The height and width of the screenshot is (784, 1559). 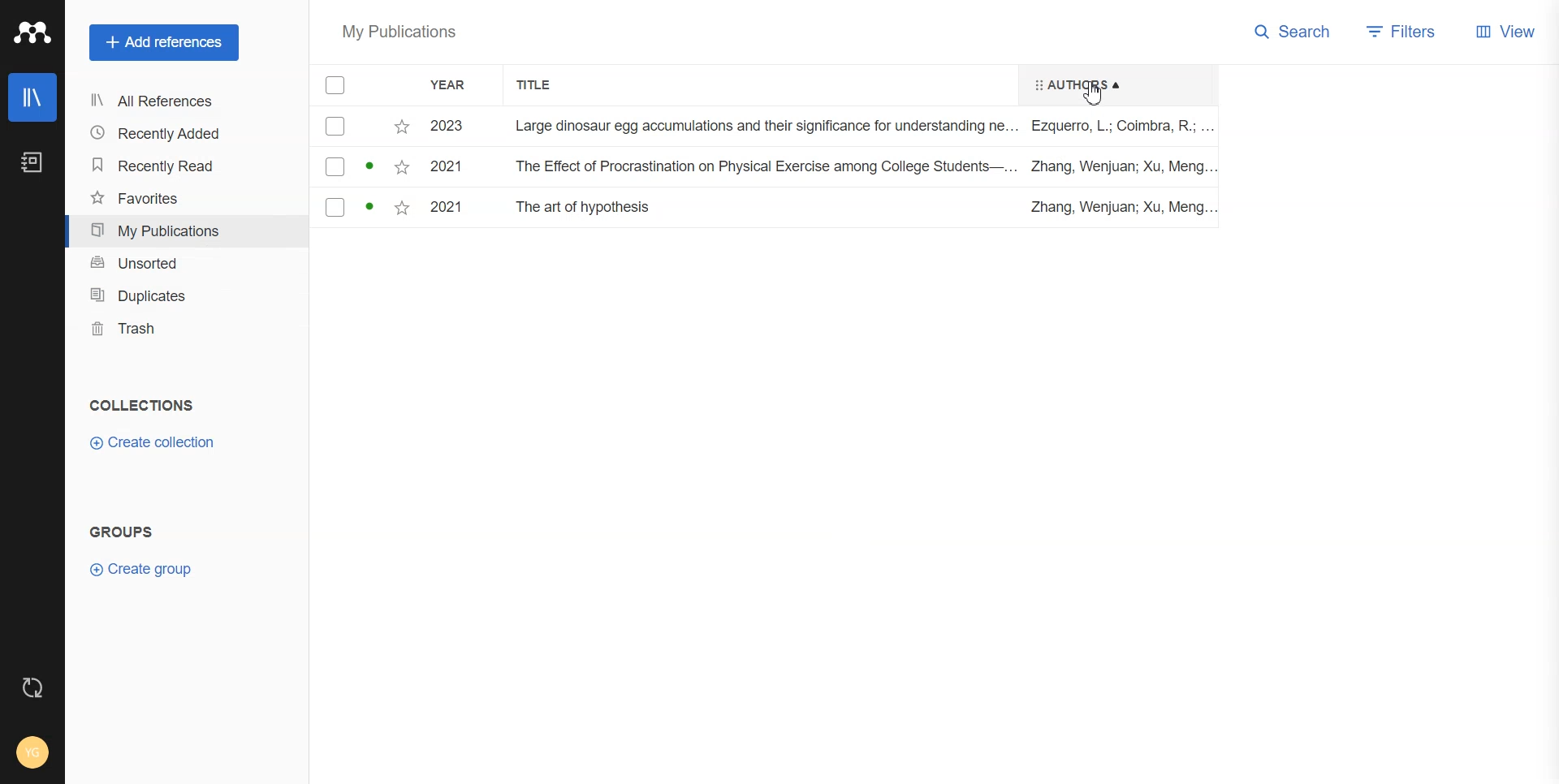 What do you see at coordinates (1119, 127) in the screenshot?
I see `Ezquerro, L.; Coimbra, R.;` at bounding box center [1119, 127].